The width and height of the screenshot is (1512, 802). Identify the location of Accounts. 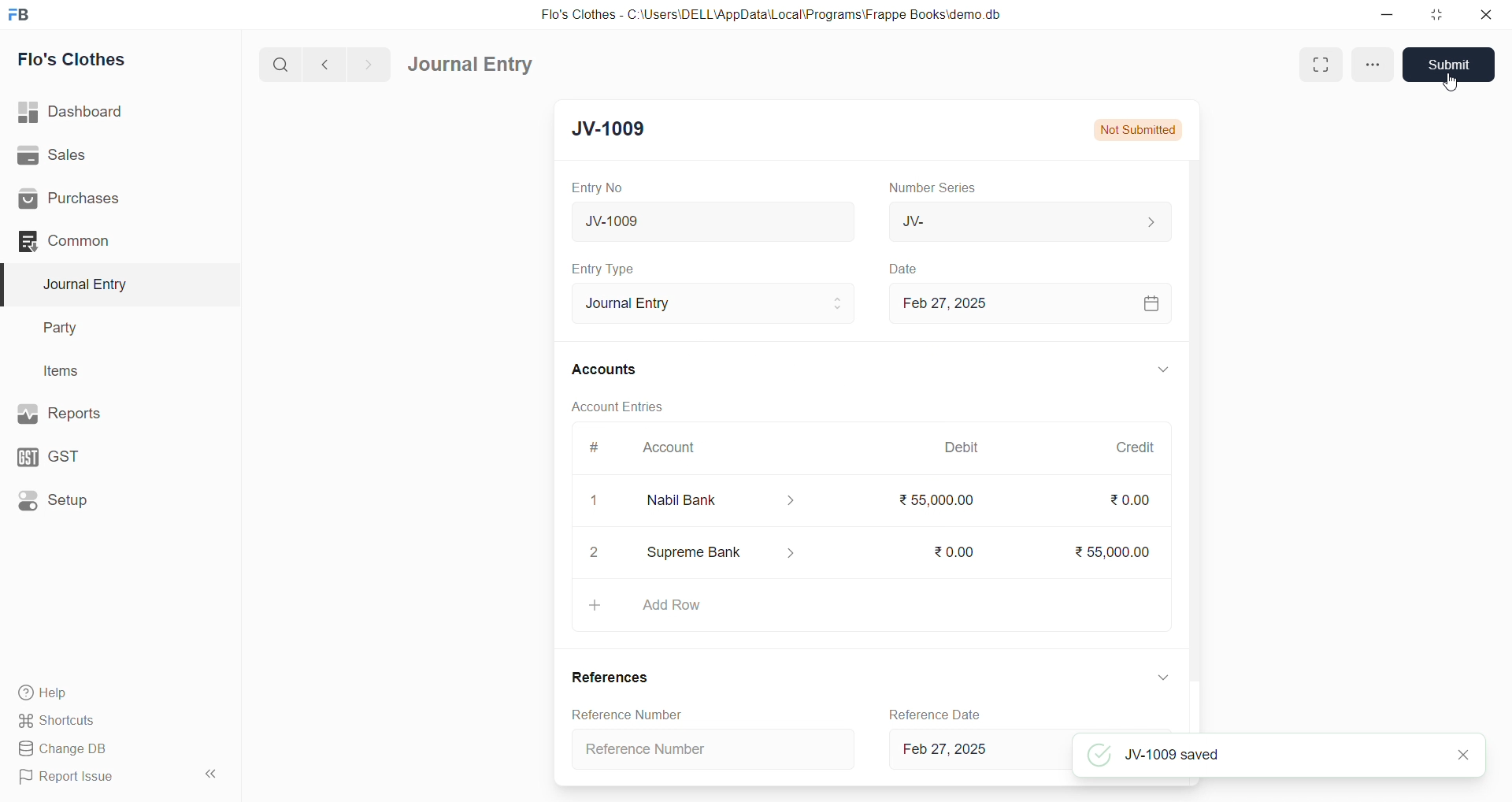
(605, 370).